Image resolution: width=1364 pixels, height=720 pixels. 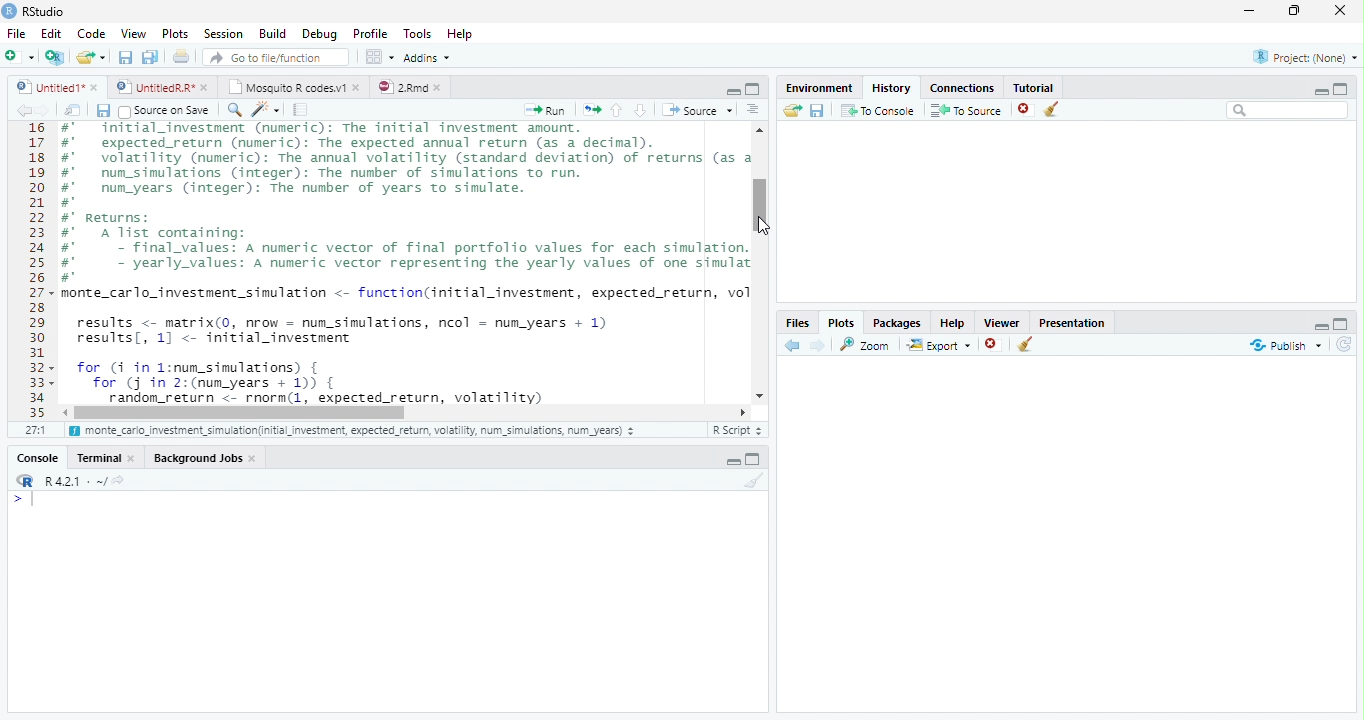 What do you see at coordinates (1285, 345) in the screenshot?
I see `publish` at bounding box center [1285, 345].